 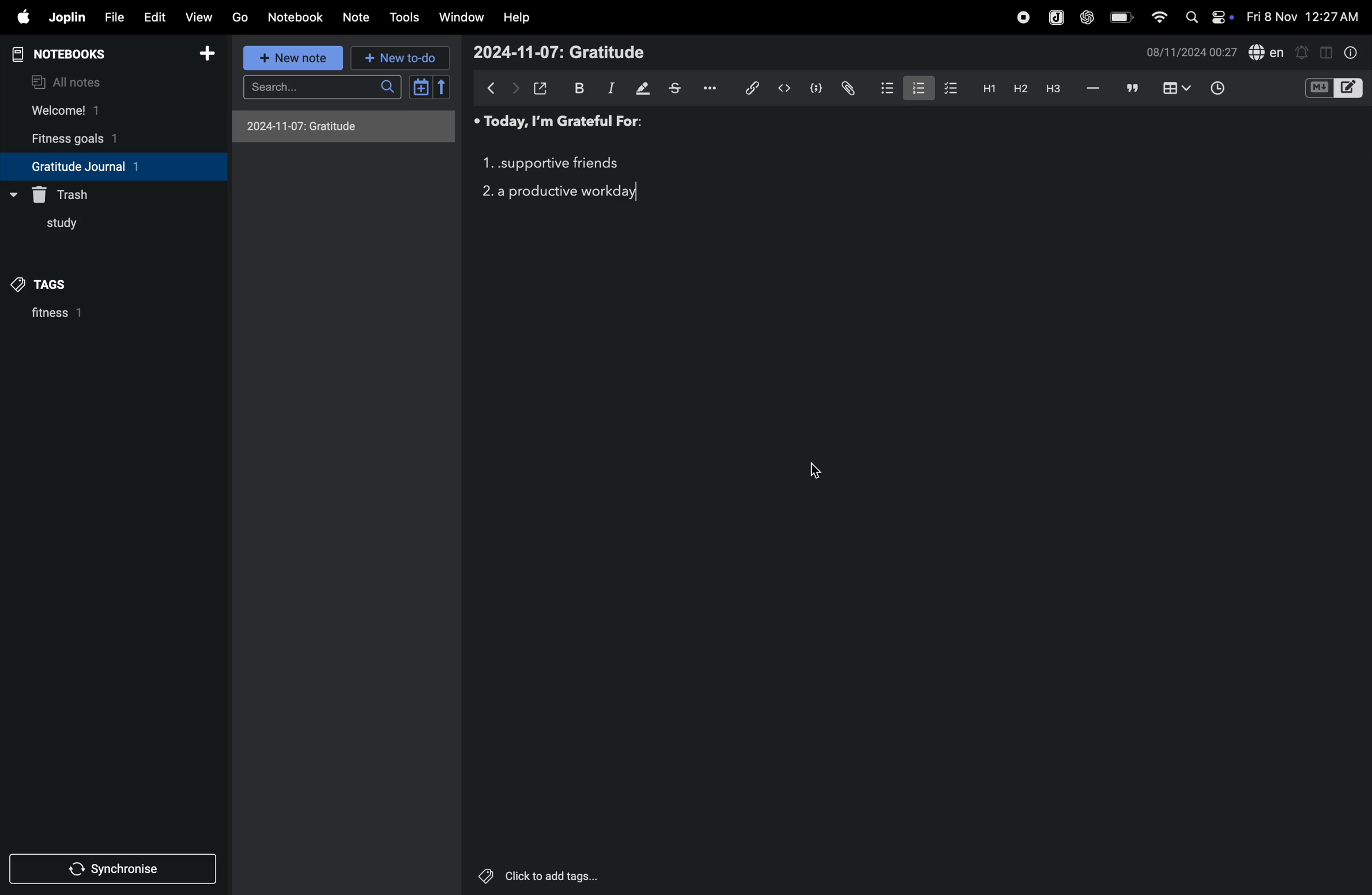 I want to click on numbered list, so click(x=914, y=88).